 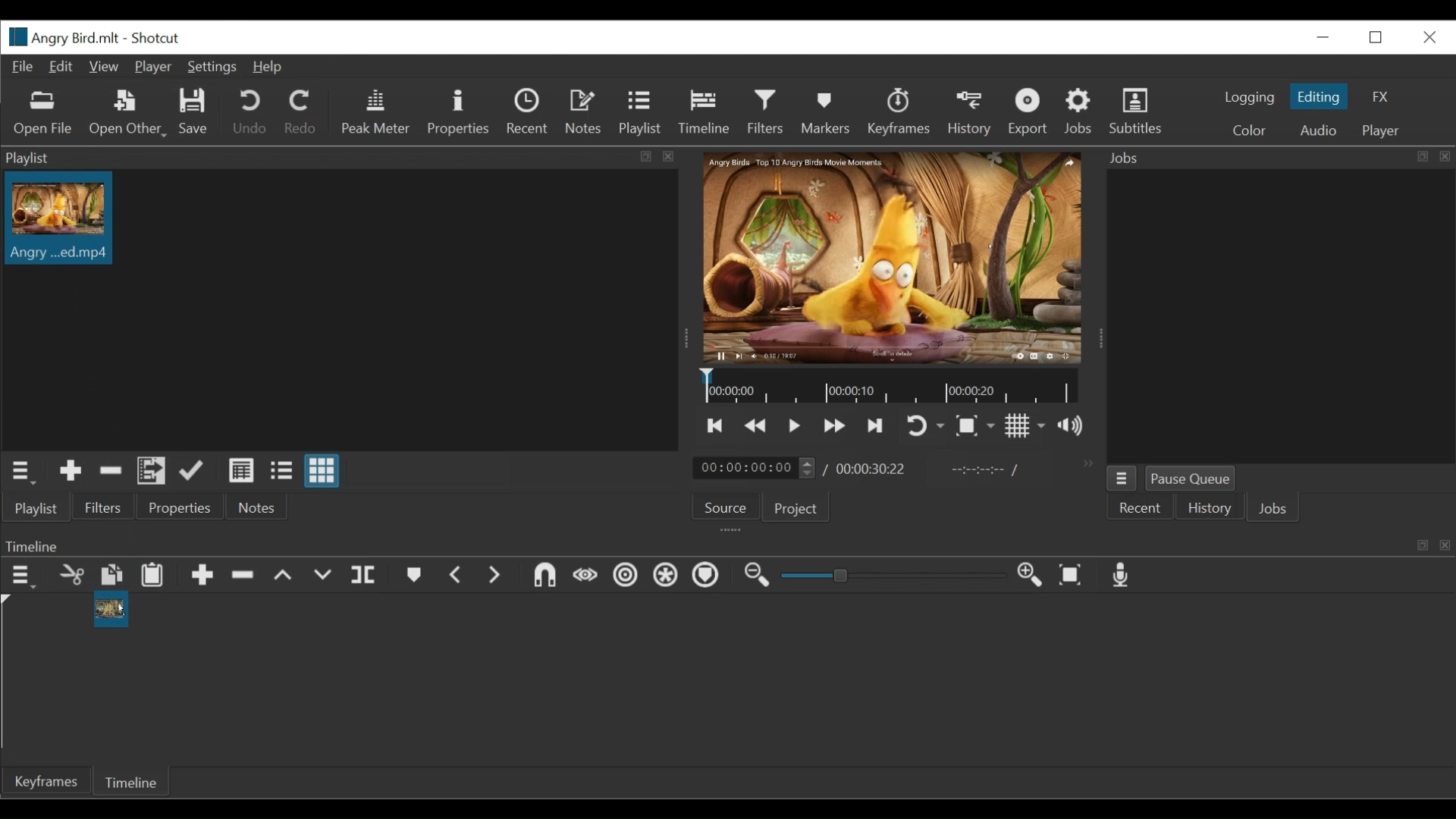 I want to click on previous marker, so click(x=457, y=575).